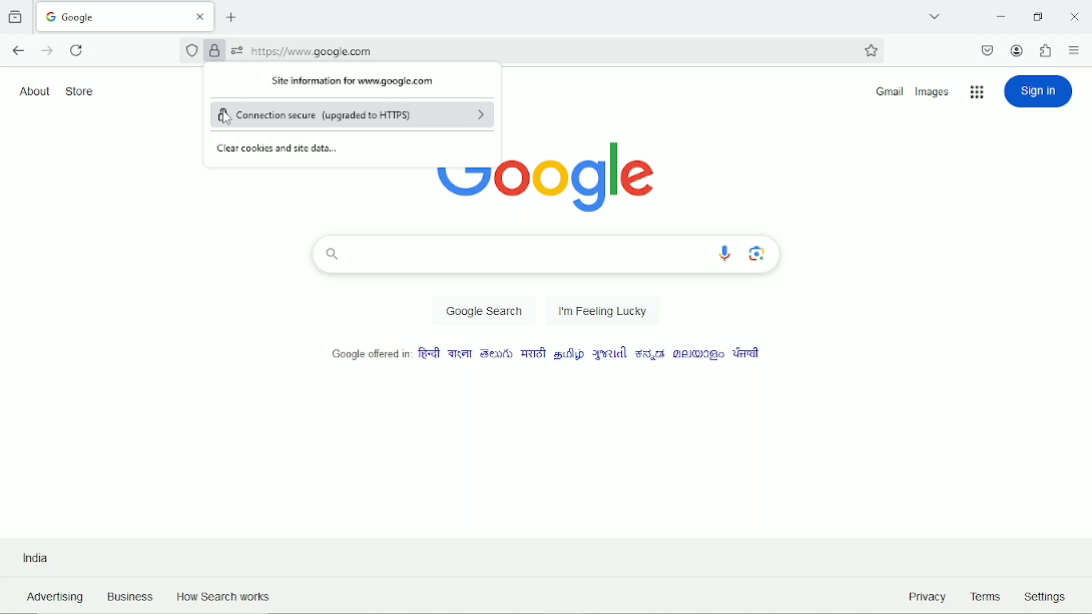 The width and height of the screenshot is (1092, 614). What do you see at coordinates (193, 50) in the screenshot?
I see `No trackers known to firefox were detected on this page` at bounding box center [193, 50].